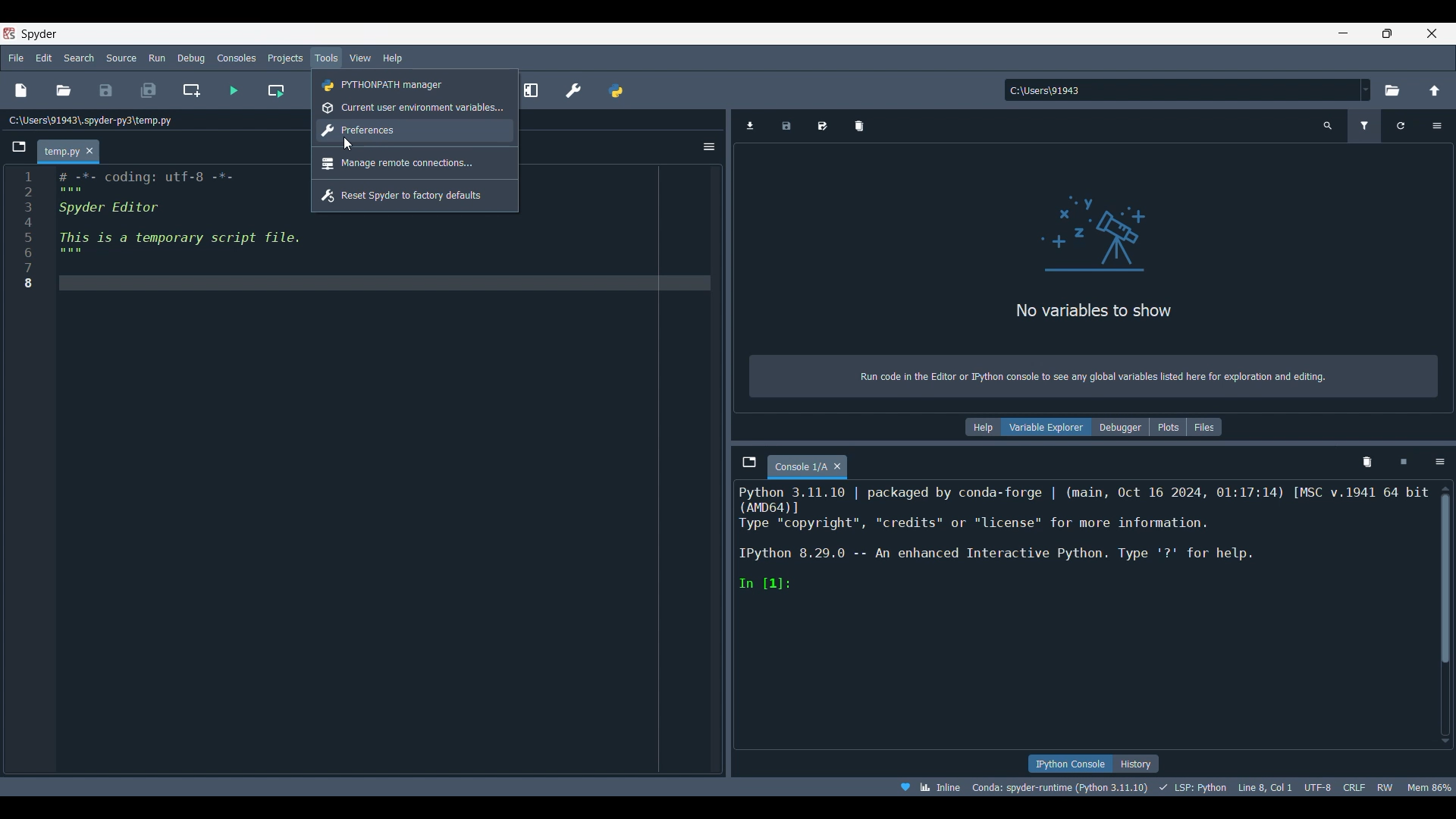 Image resolution: width=1456 pixels, height=819 pixels. What do you see at coordinates (1329, 126) in the screenshot?
I see `Search variable names and types` at bounding box center [1329, 126].